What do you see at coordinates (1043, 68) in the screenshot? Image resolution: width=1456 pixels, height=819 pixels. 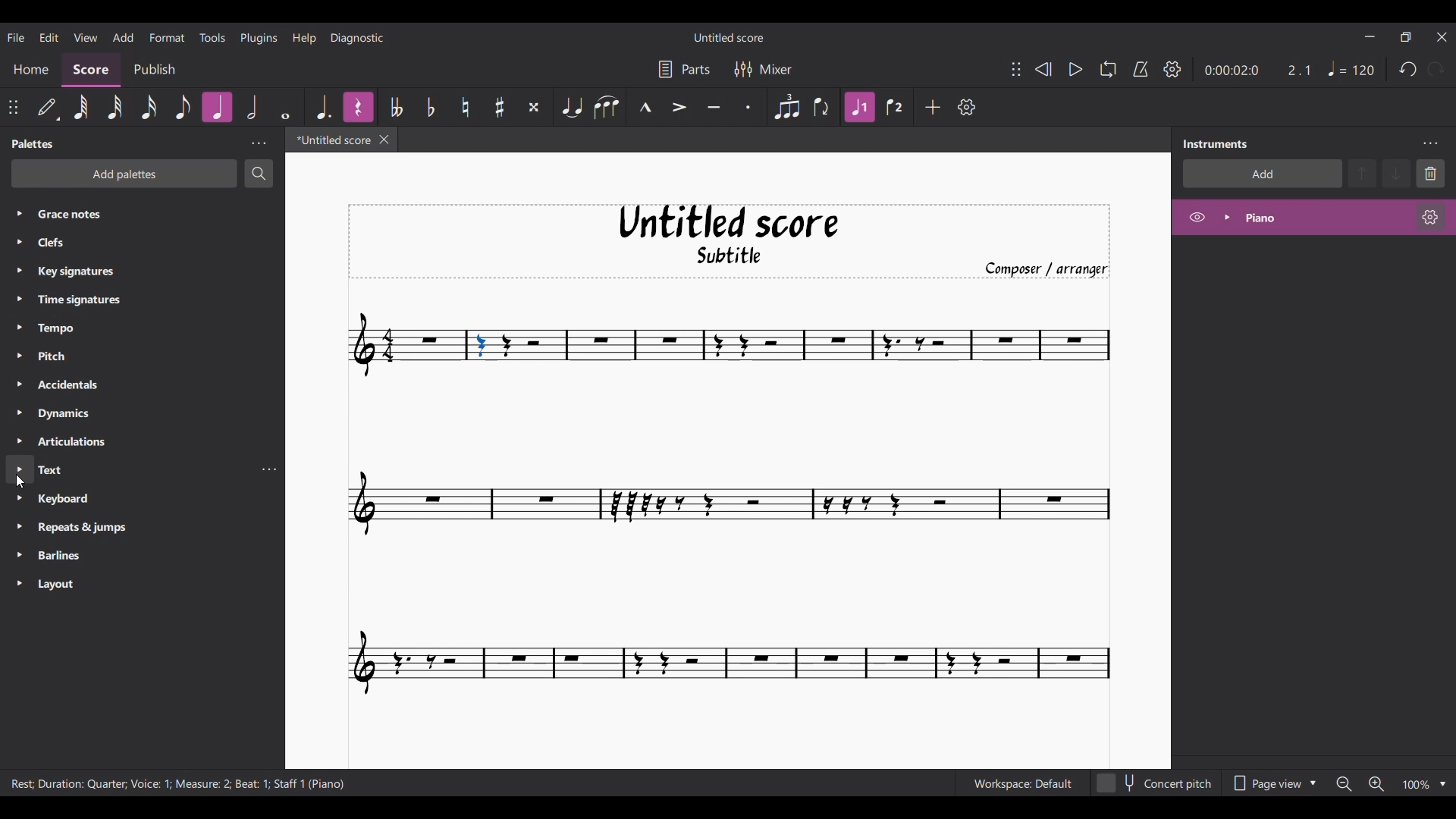 I see `Rewind` at bounding box center [1043, 68].